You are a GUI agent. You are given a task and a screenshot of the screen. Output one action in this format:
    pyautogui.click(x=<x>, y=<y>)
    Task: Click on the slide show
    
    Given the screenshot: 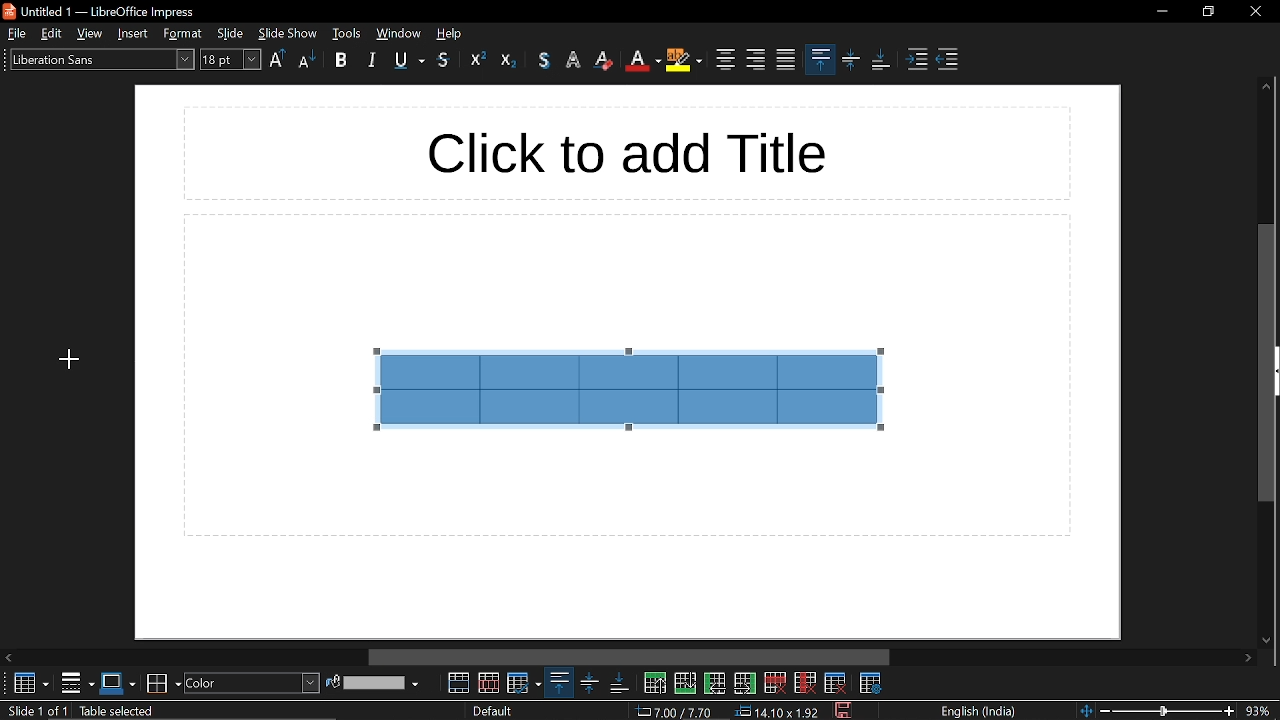 What is the action you would take?
    pyautogui.click(x=289, y=33)
    